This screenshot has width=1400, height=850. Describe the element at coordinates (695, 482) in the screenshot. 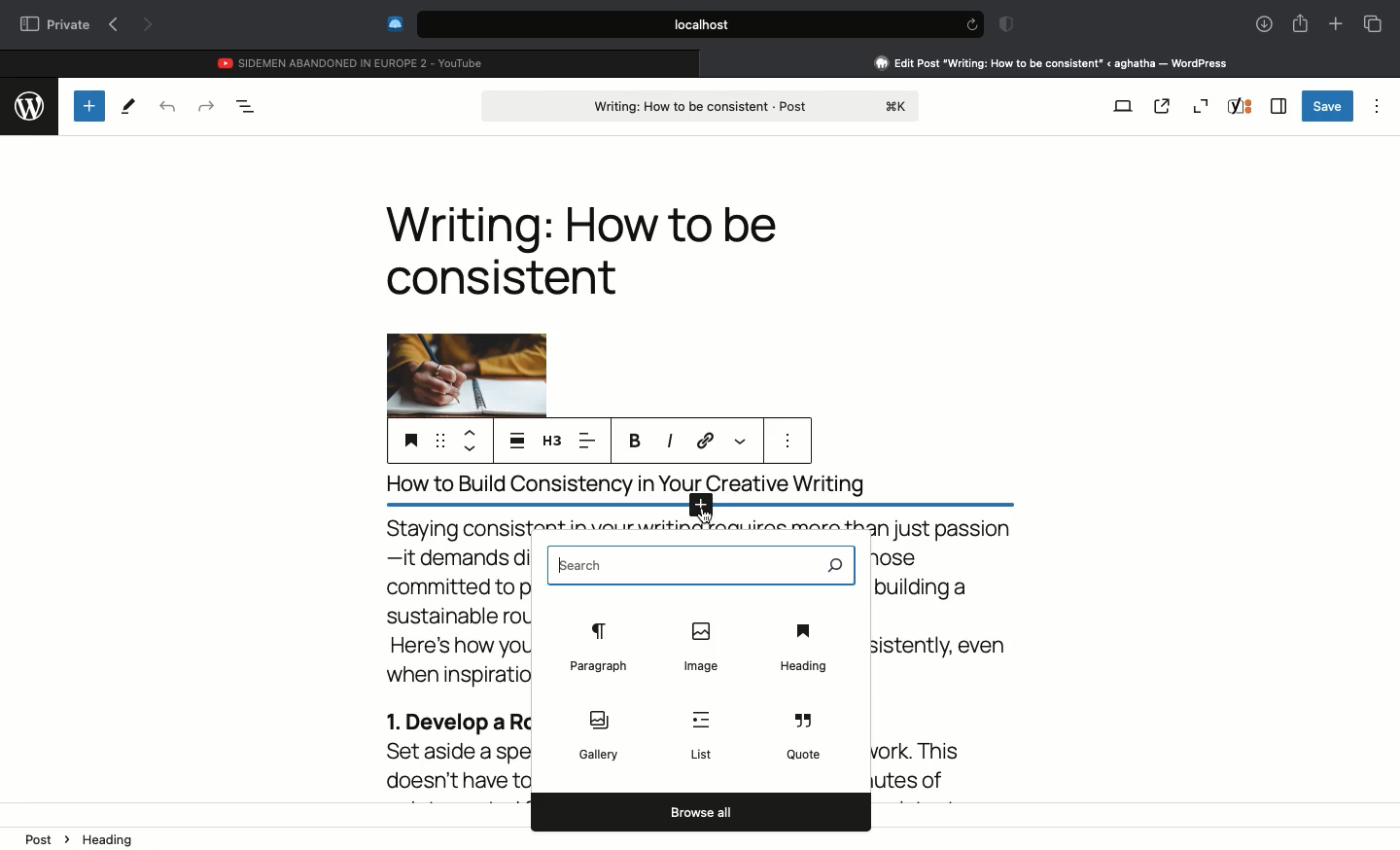

I see `title` at that location.